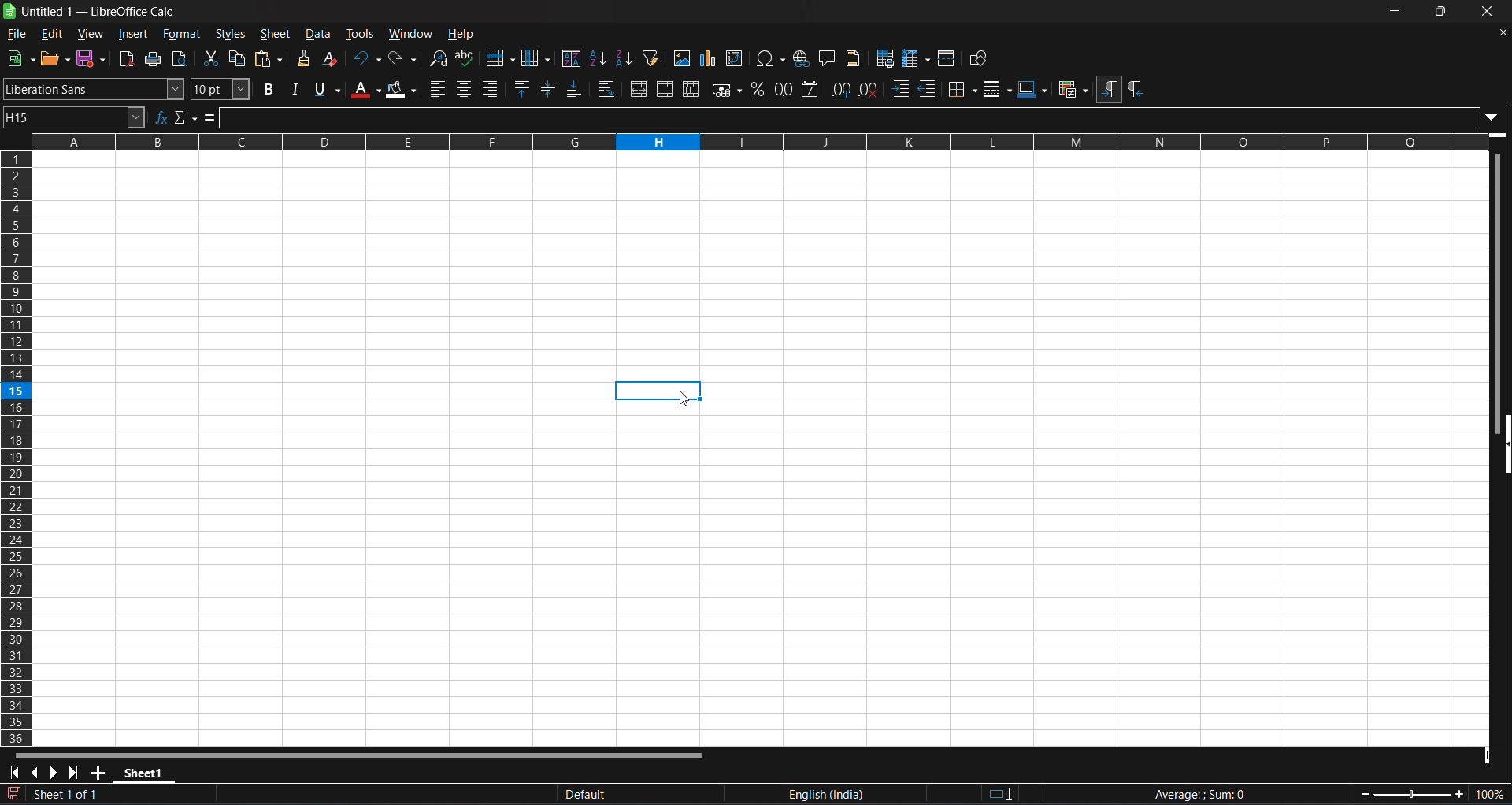 The height and width of the screenshot is (805, 1512). What do you see at coordinates (1109, 89) in the screenshot?
I see `left to right` at bounding box center [1109, 89].